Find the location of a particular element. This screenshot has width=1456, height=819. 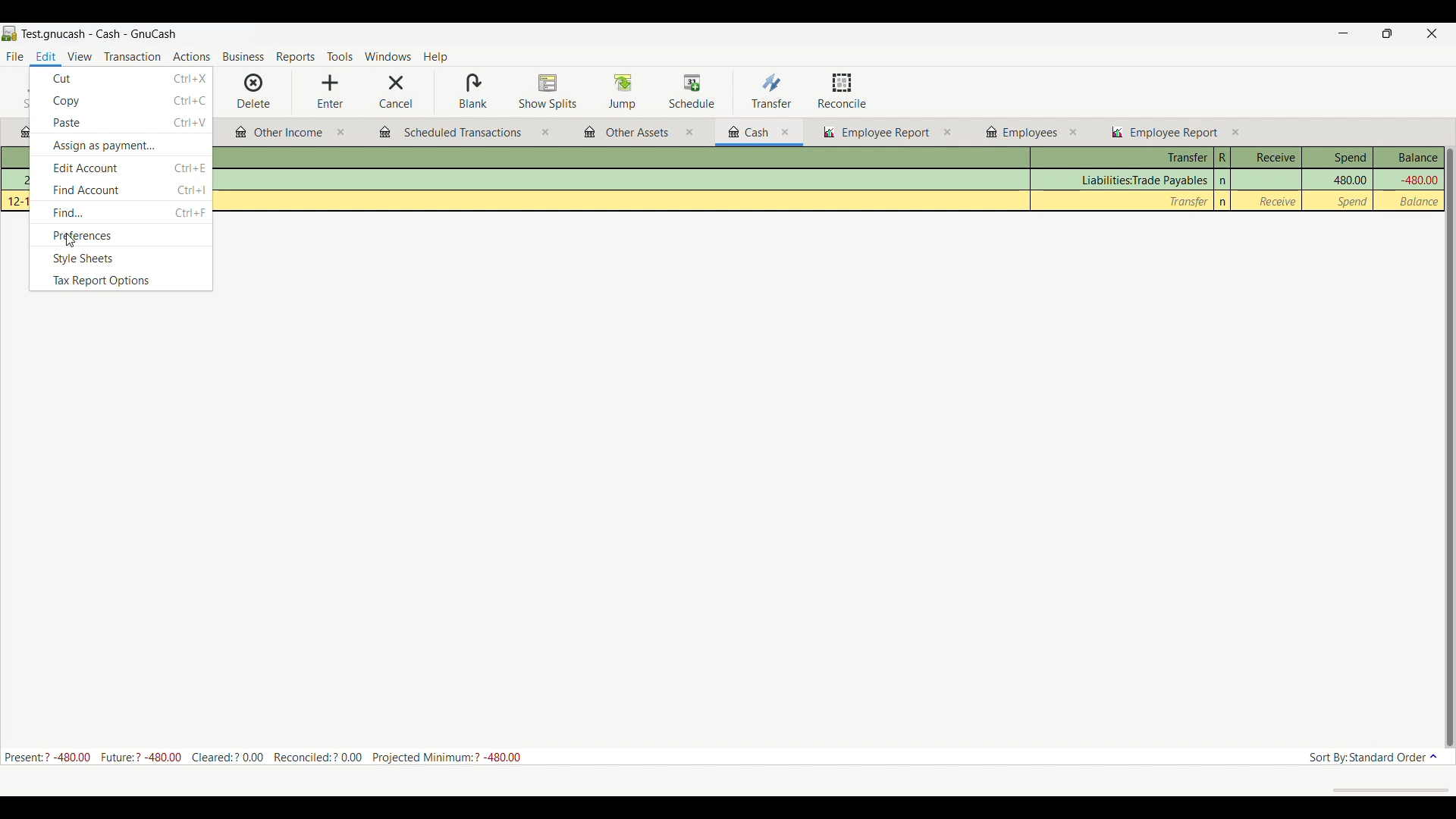

Schedule is located at coordinates (692, 91).